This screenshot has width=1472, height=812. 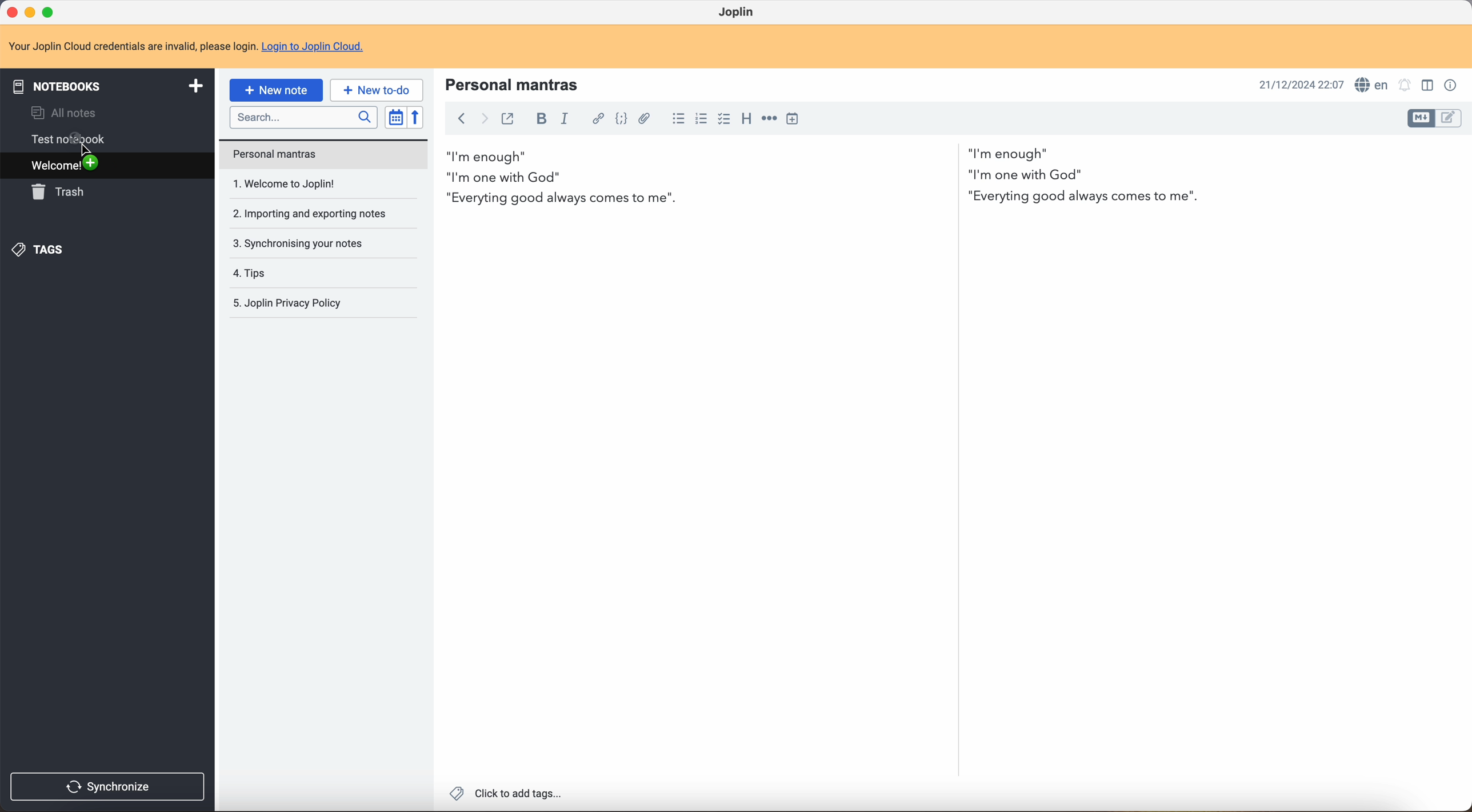 What do you see at coordinates (596, 119) in the screenshot?
I see `hyperlink` at bounding box center [596, 119].